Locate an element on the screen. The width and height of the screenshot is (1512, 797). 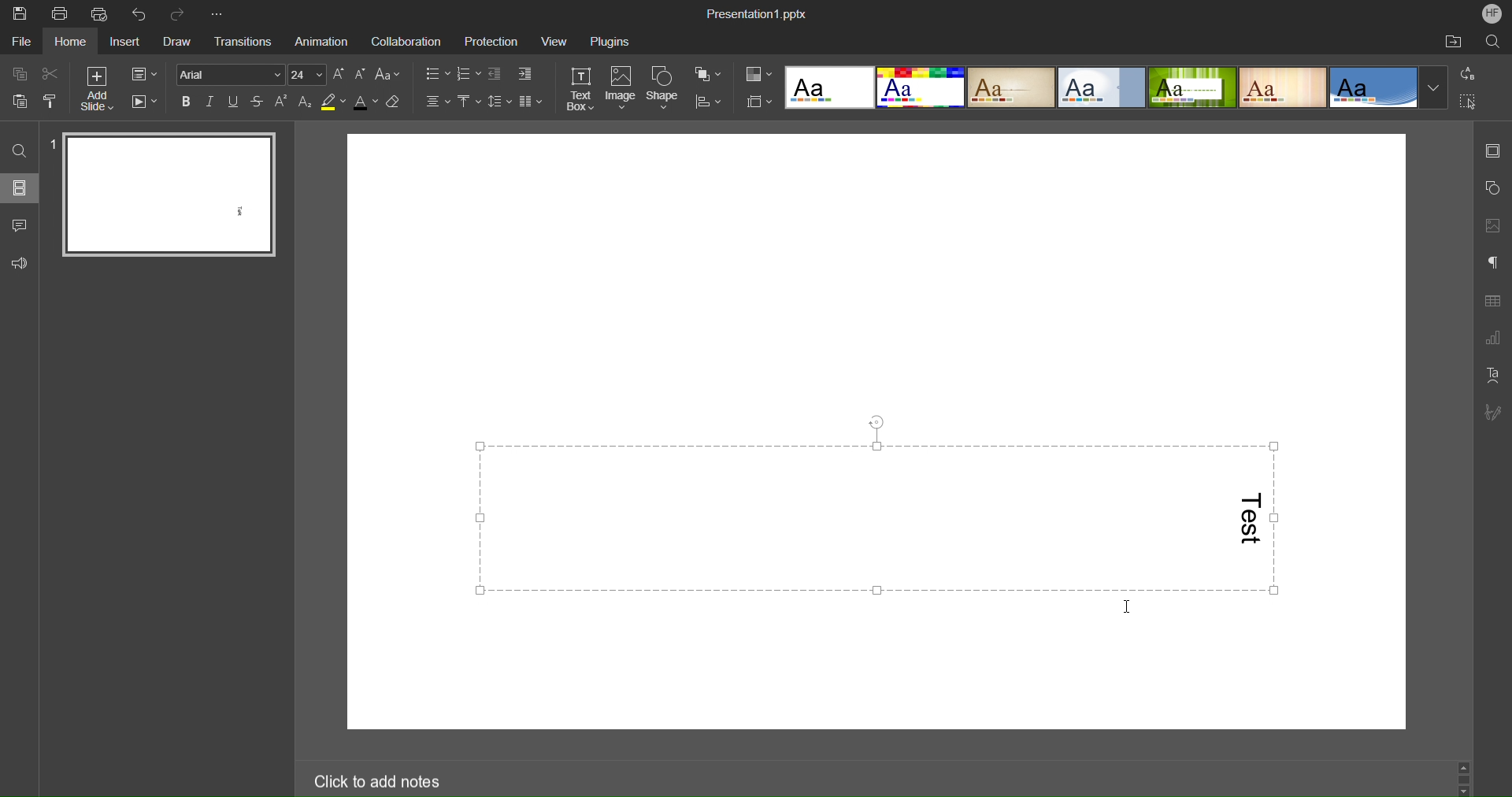
Open Folder is located at coordinates (1455, 43).